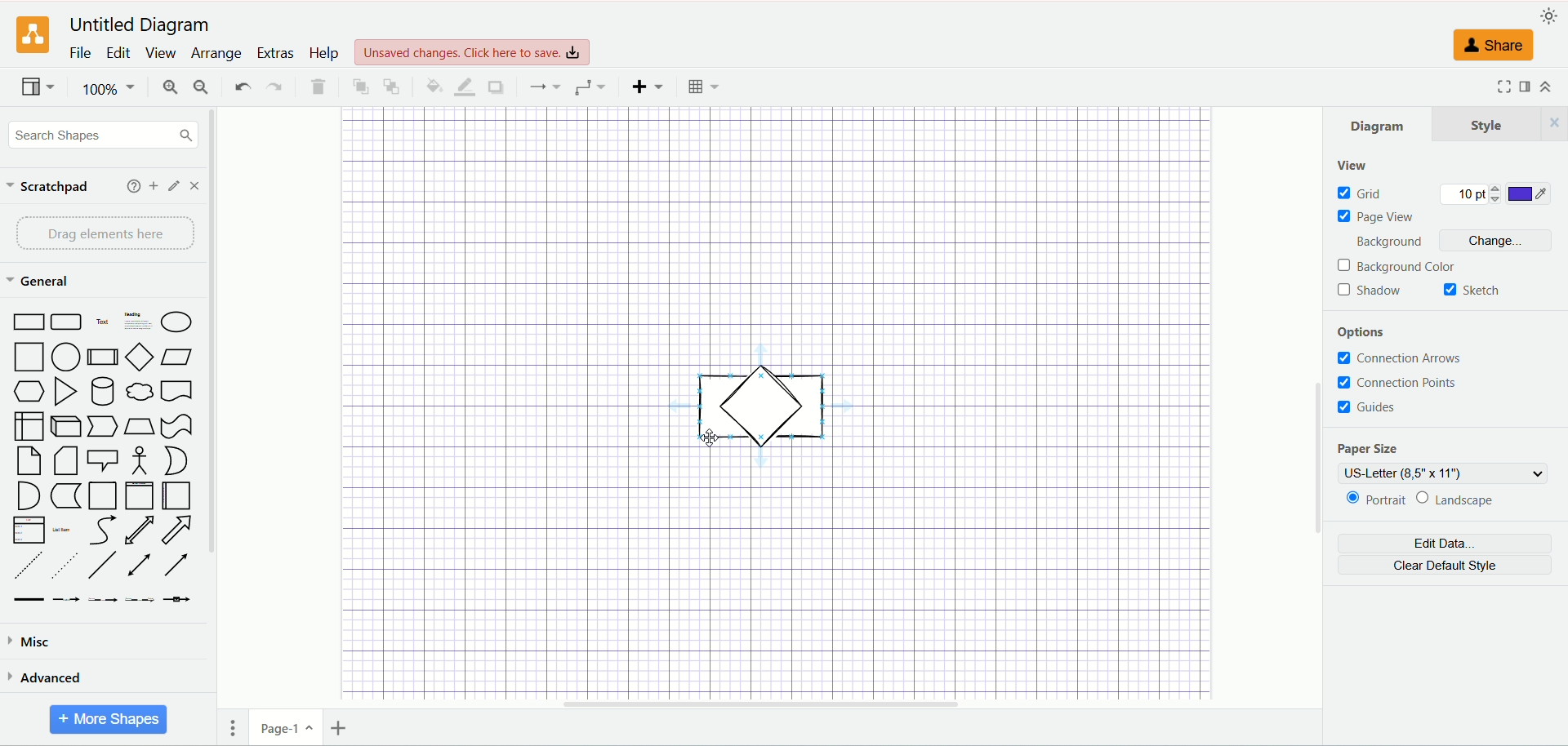 The width and height of the screenshot is (1568, 746). Describe the element at coordinates (28, 529) in the screenshot. I see `list` at that location.